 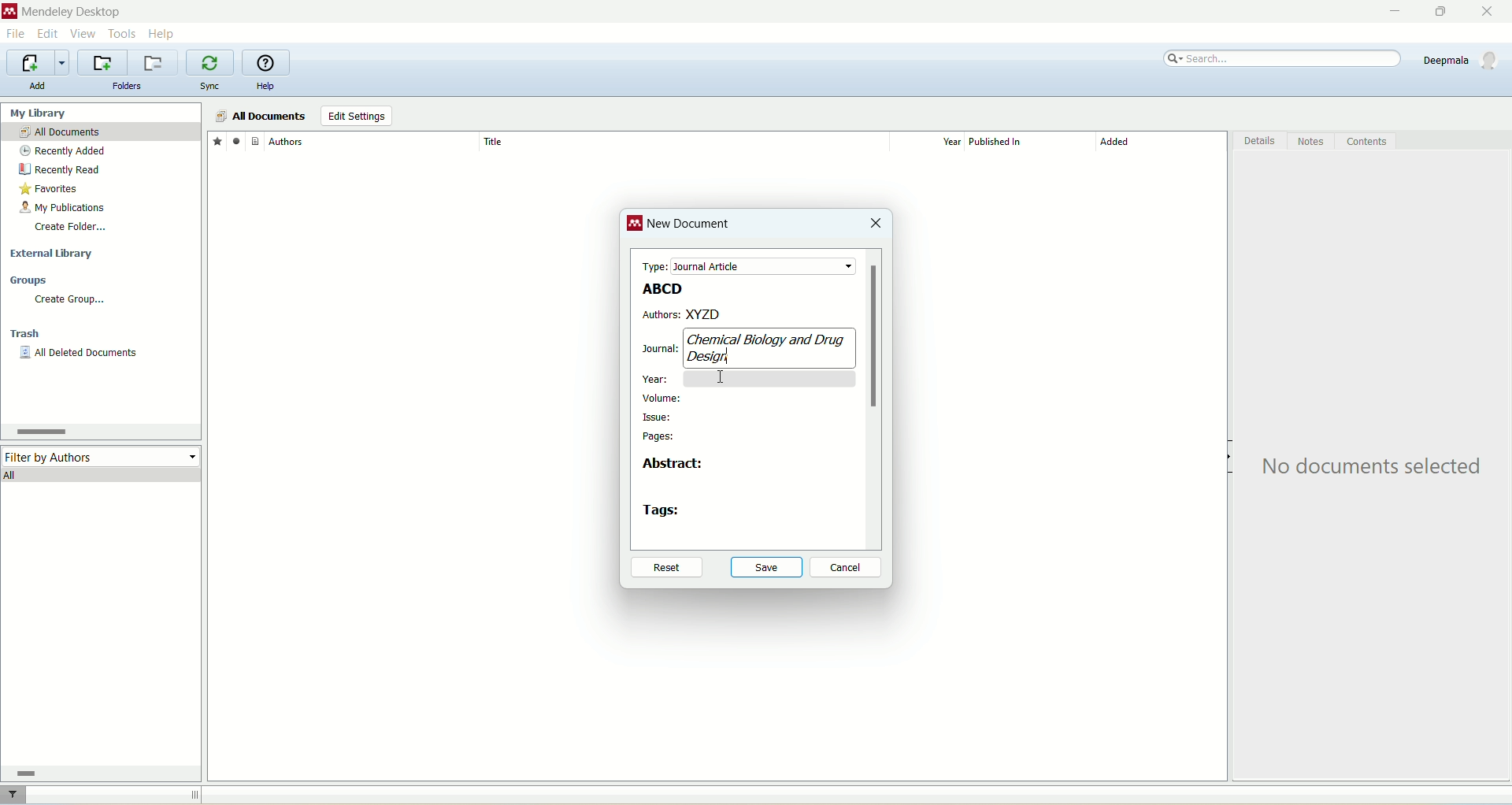 What do you see at coordinates (69, 299) in the screenshot?
I see `create group` at bounding box center [69, 299].